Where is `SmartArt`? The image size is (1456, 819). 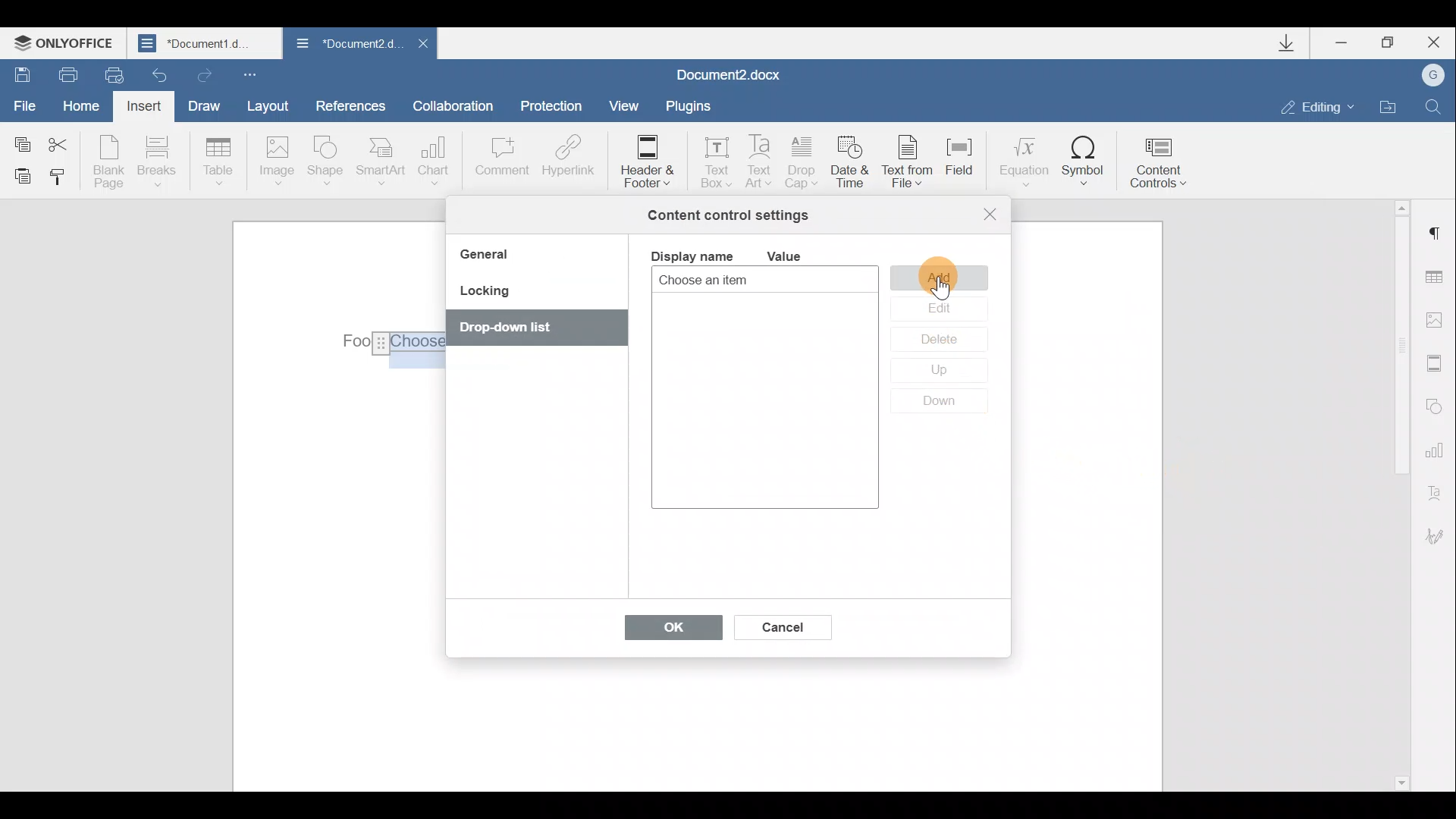
SmartArt is located at coordinates (381, 160).